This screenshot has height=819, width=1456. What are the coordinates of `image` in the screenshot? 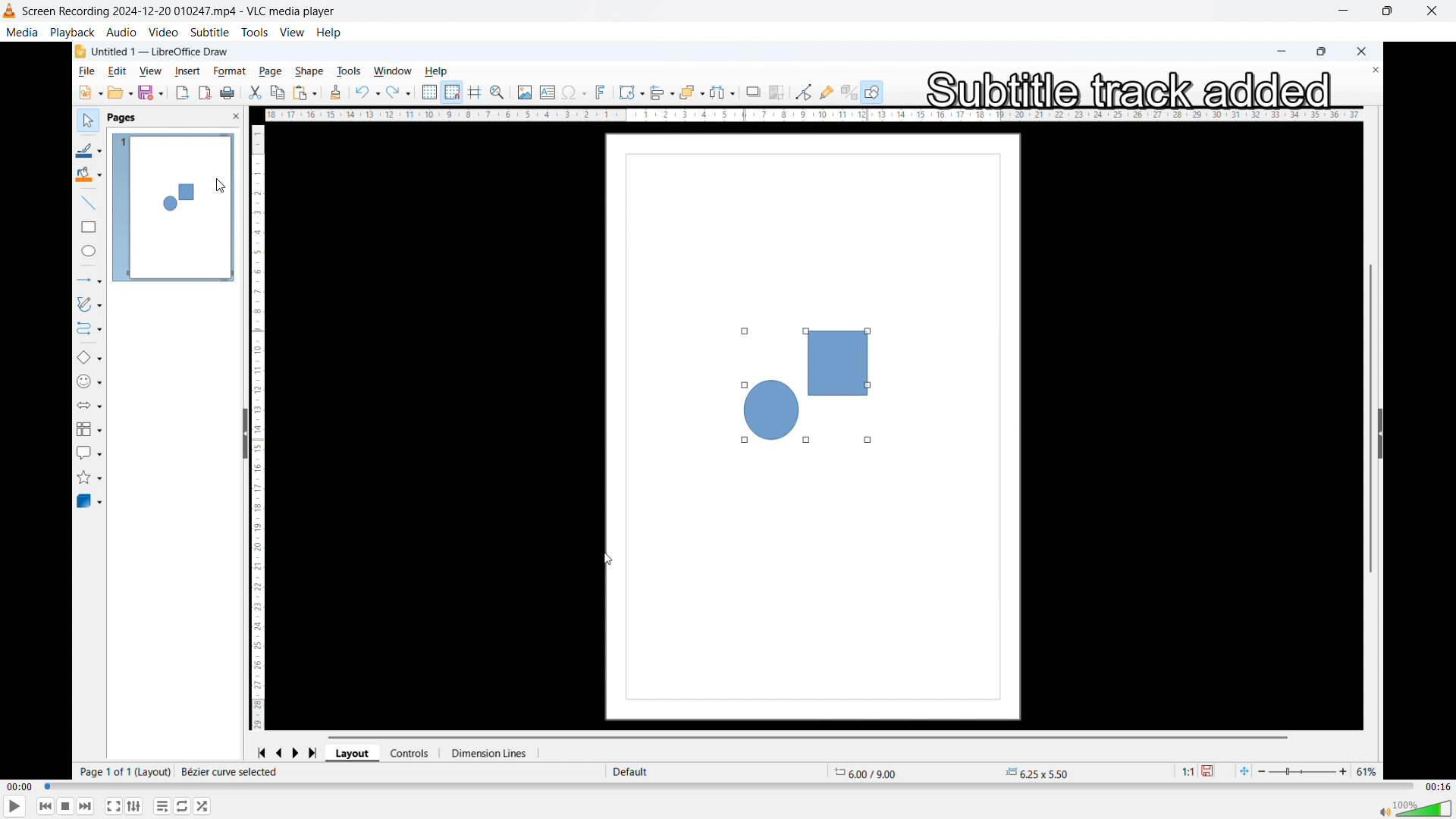 It's located at (523, 93).